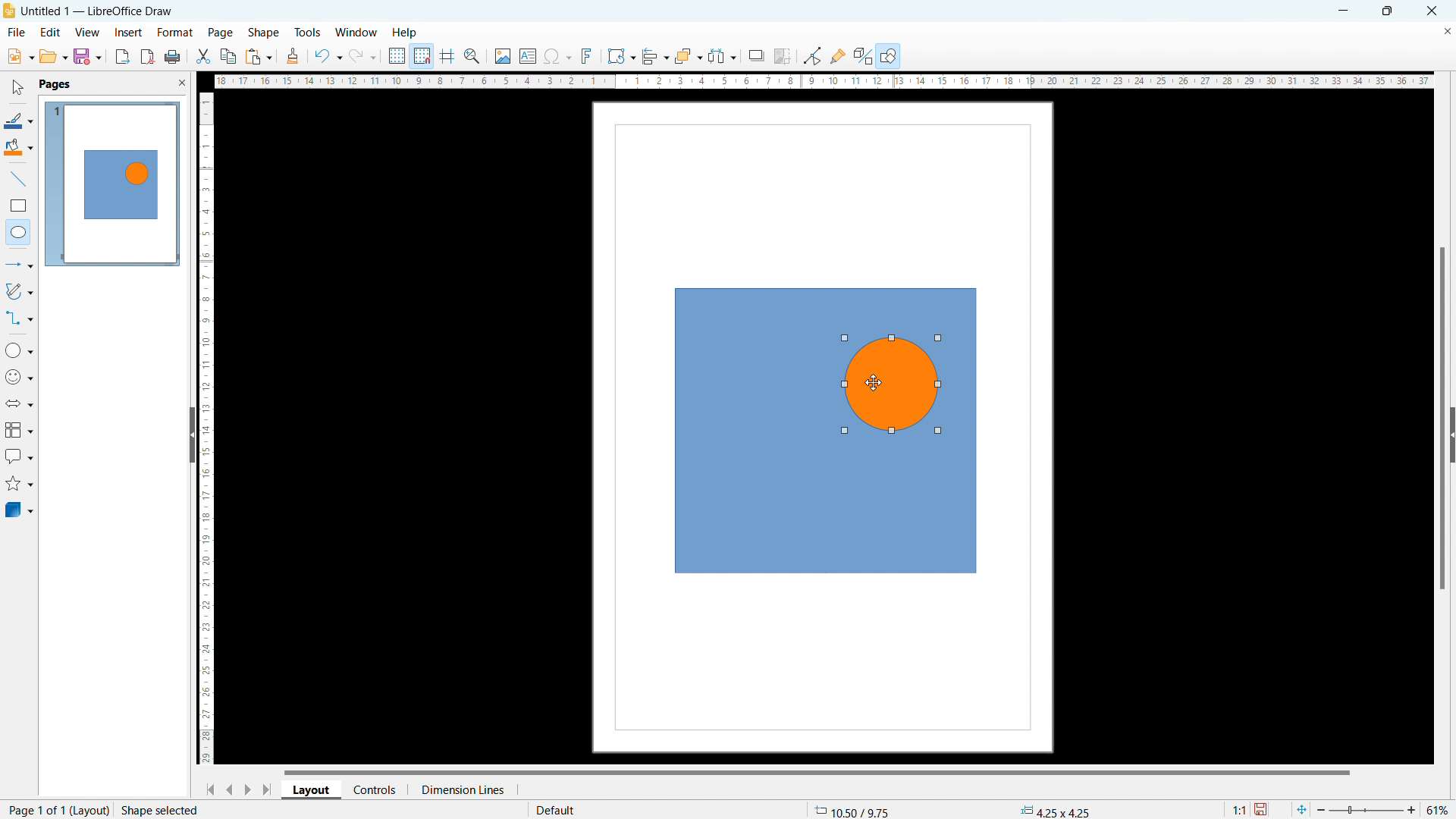 The image size is (1456, 819). What do you see at coordinates (838, 55) in the screenshot?
I see `show gluepoint functions` at bounding box center [838, 55].